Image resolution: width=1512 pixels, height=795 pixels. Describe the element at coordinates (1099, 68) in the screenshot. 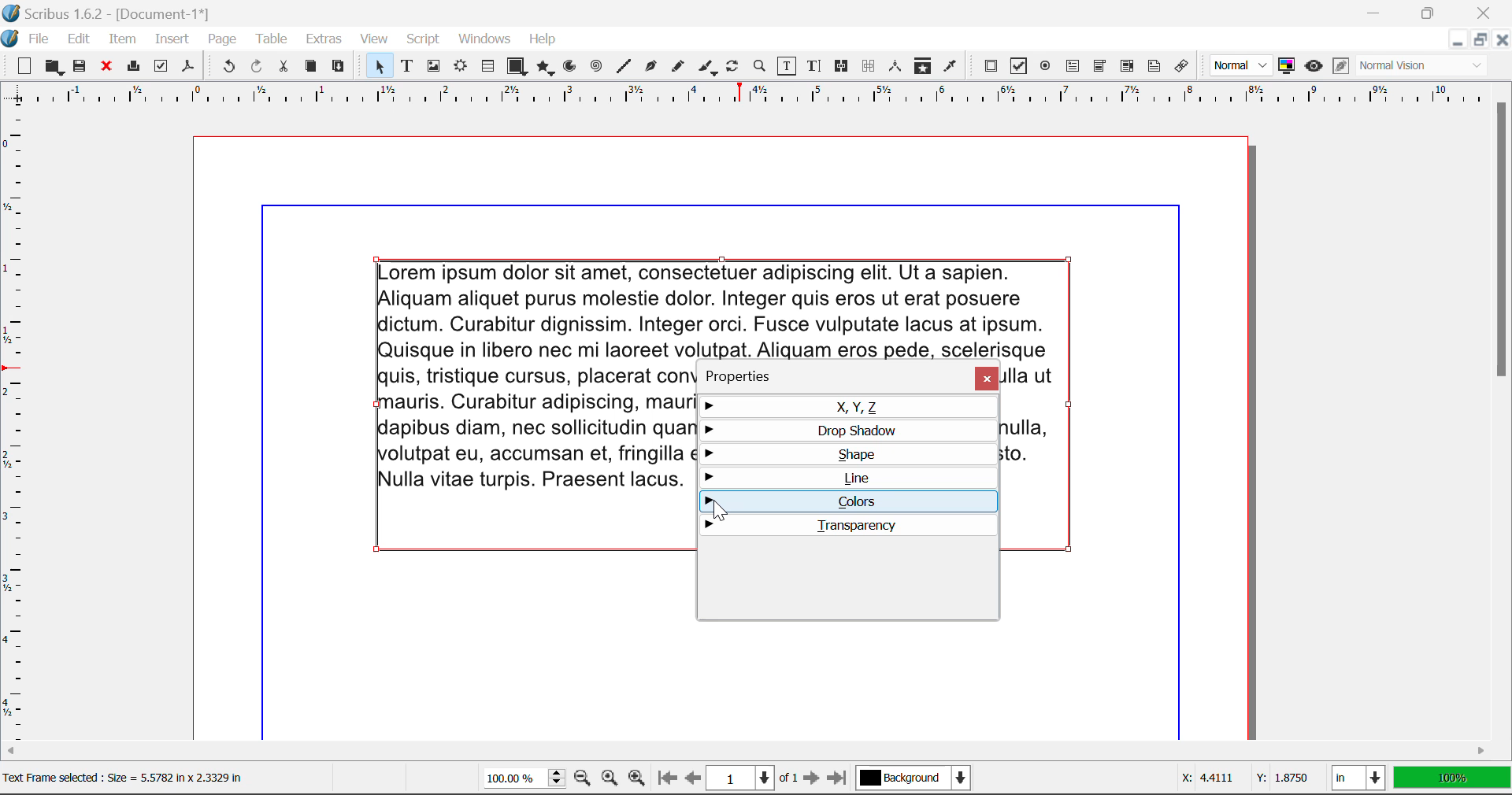

I see `PDF Combo Box` at that location.